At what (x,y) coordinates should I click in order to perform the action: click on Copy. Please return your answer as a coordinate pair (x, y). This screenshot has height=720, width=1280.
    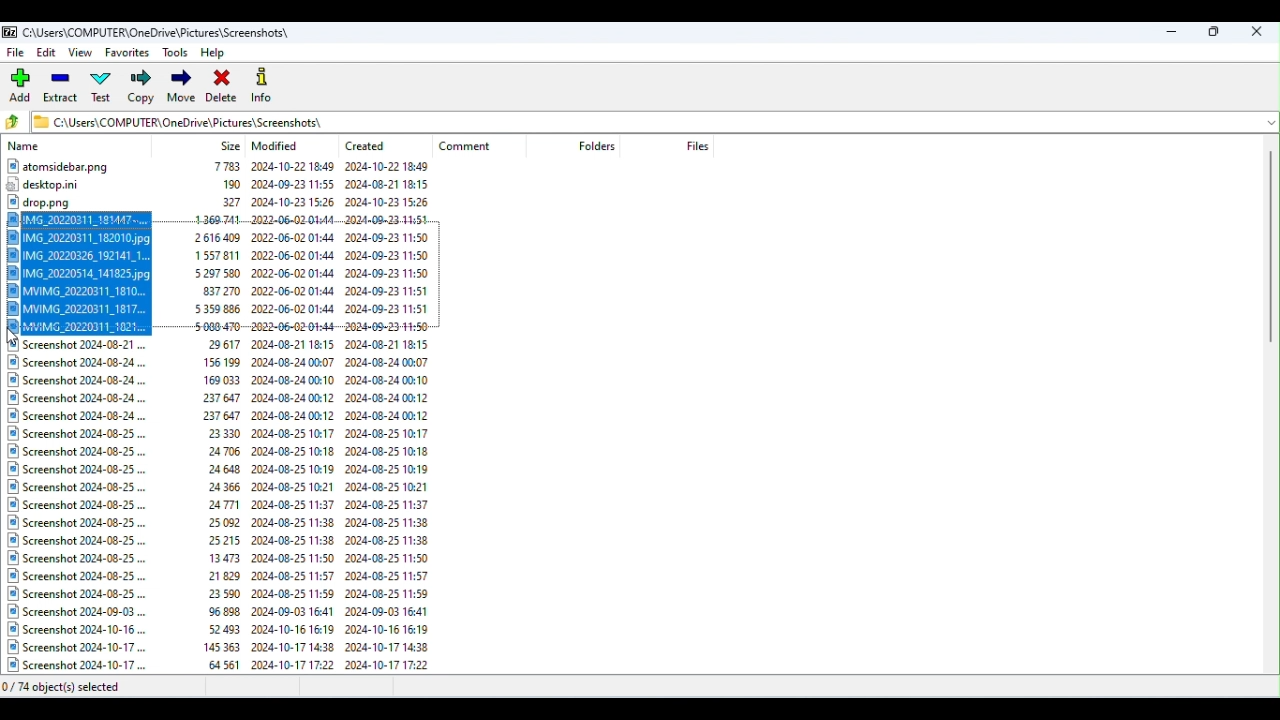
    Looking at the image, I should click on (142, 88).